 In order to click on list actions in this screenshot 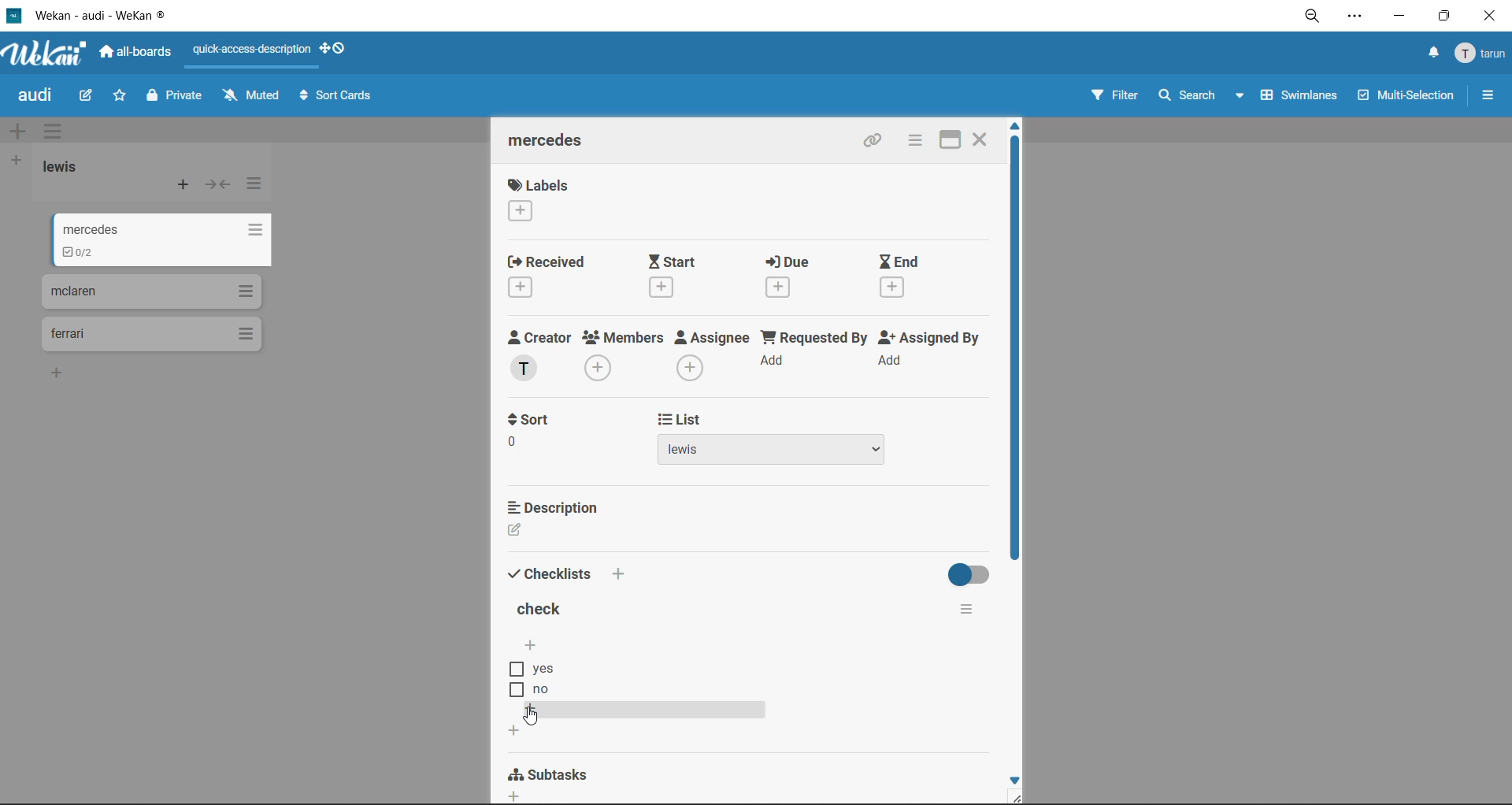, I will do `click(256, 188)`.